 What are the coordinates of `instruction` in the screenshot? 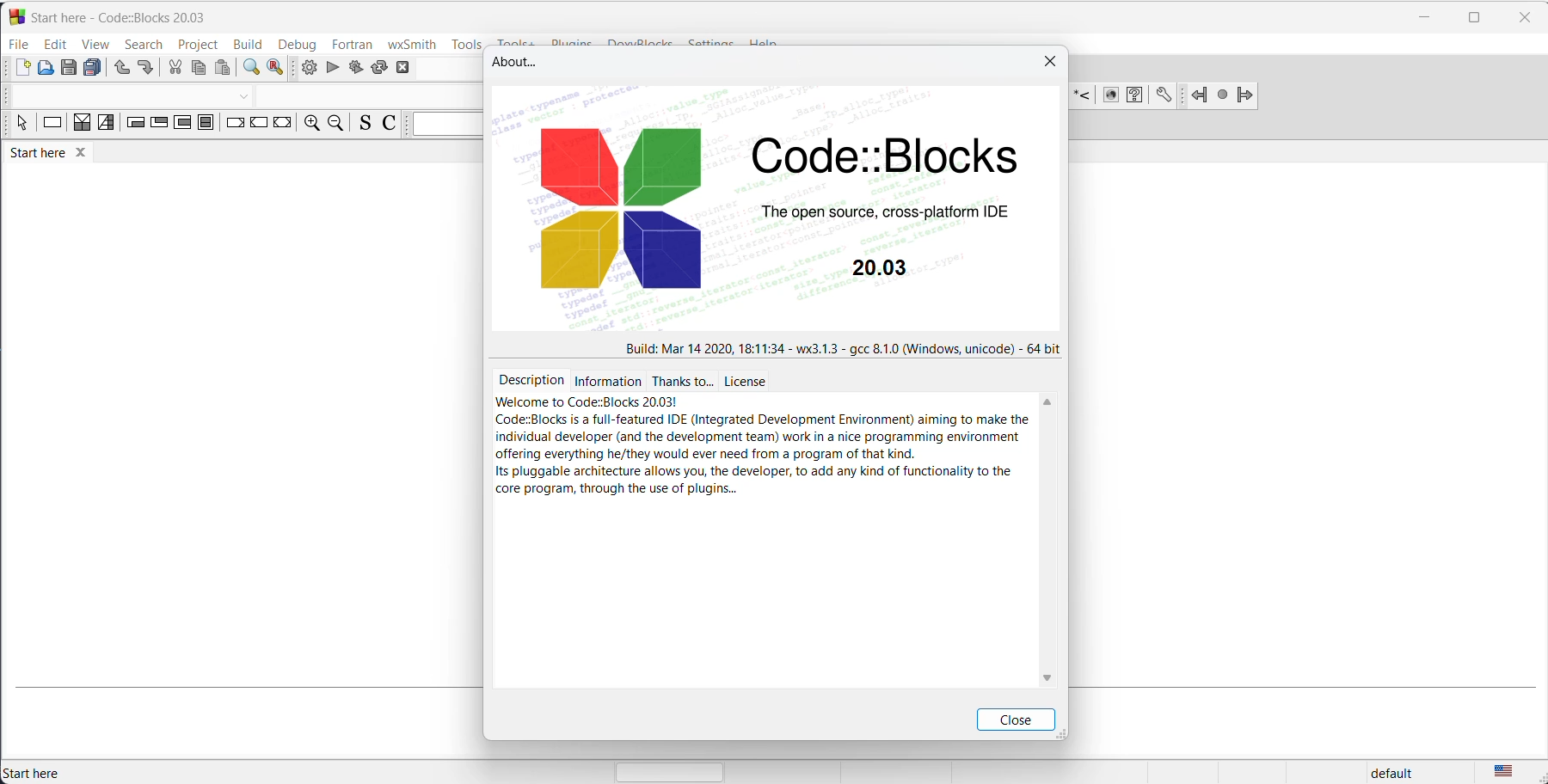 It's located at (49, 124).